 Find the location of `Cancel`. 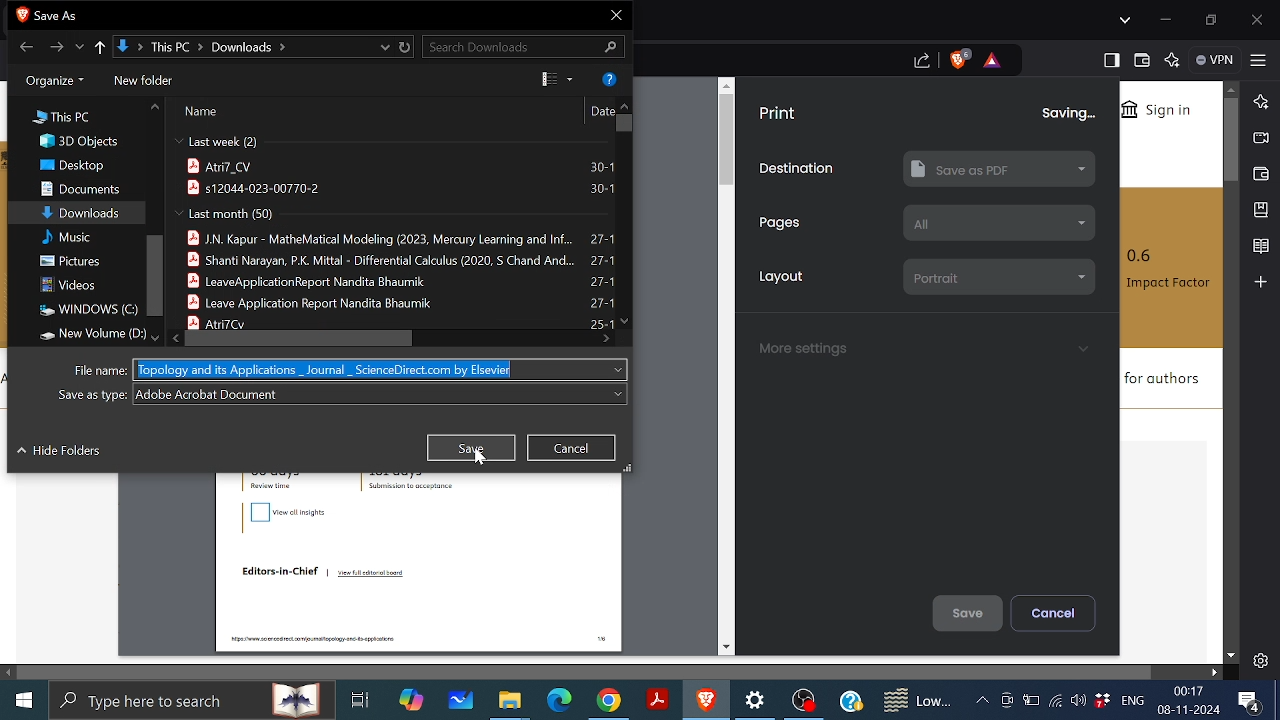

Cancel is located at coordinates (572, 448).